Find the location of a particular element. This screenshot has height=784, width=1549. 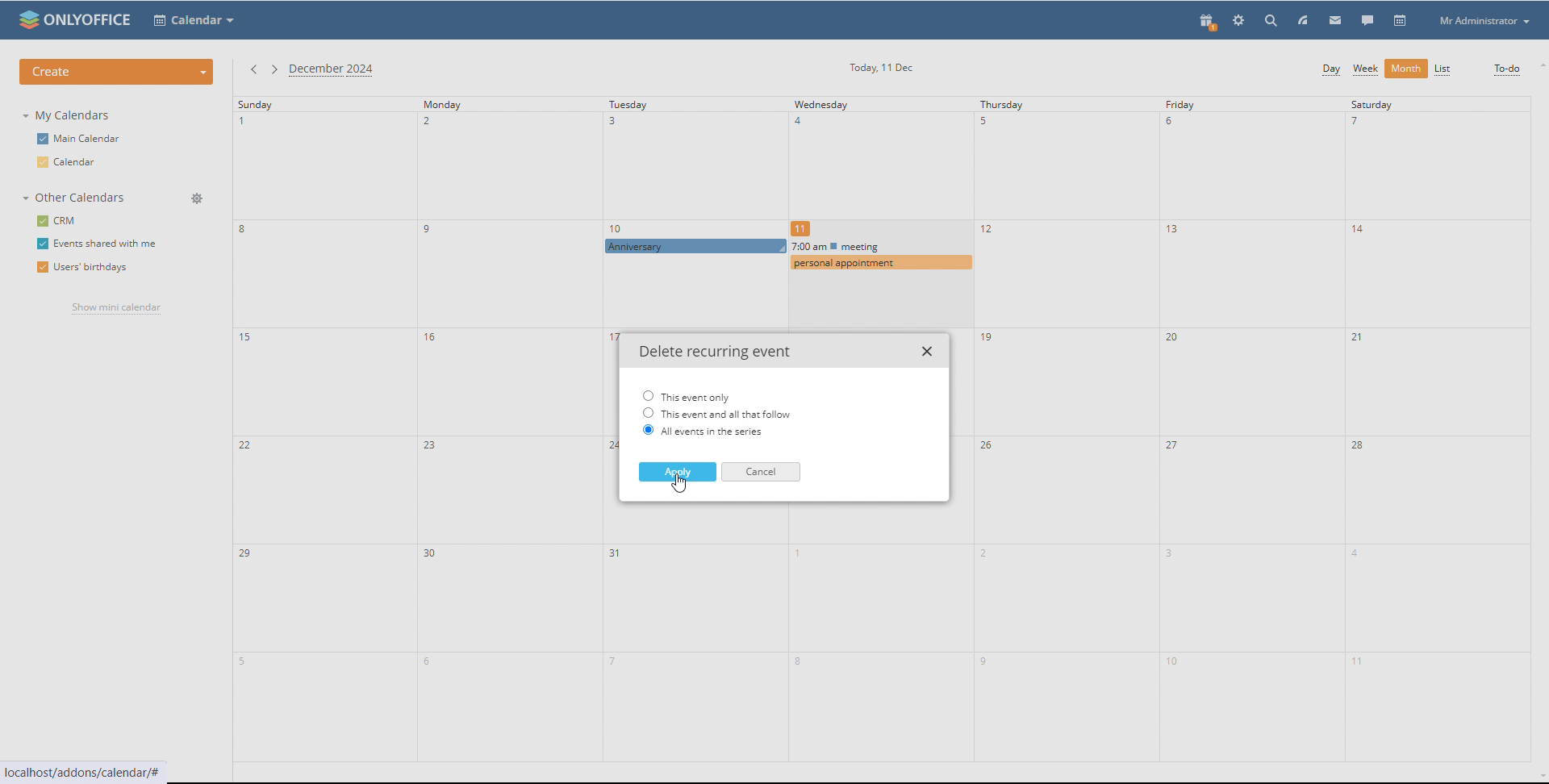

show mini calendar is located at coordinates (115, 309).